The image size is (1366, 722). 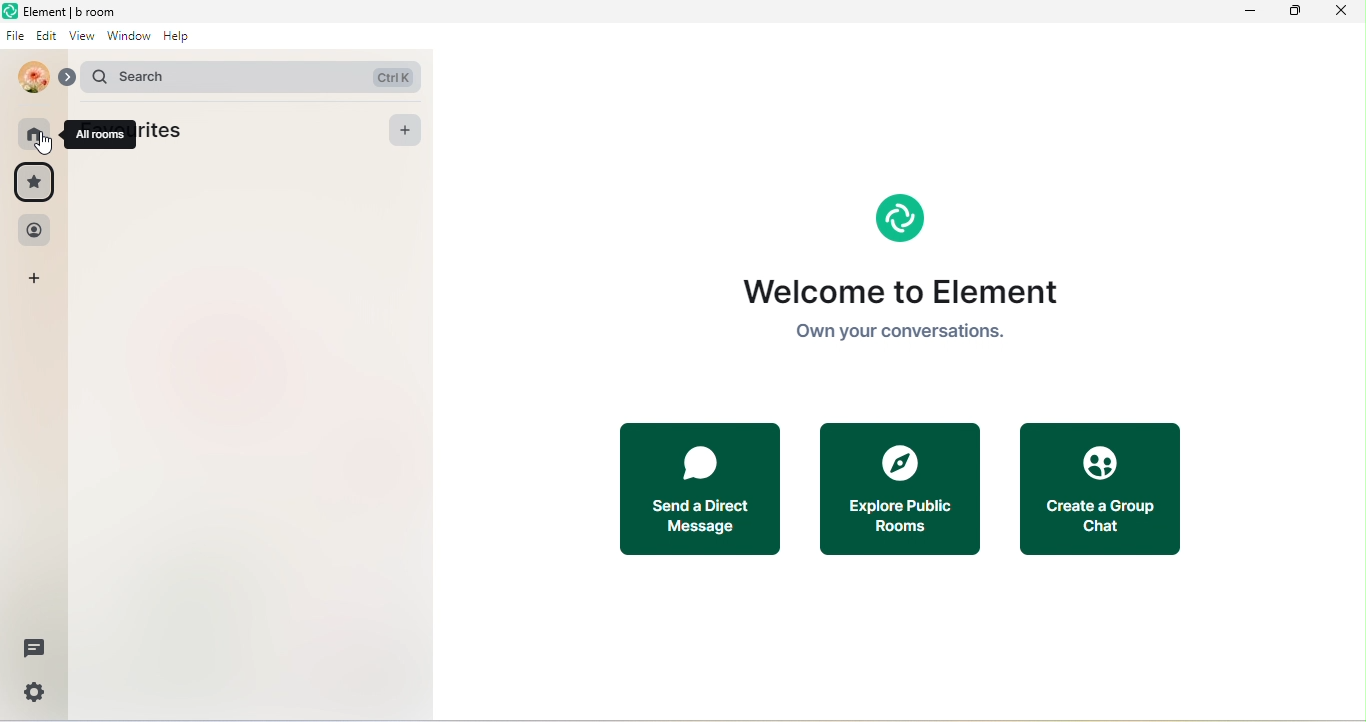 I want to click on cursor, so click(x=48, y=147).